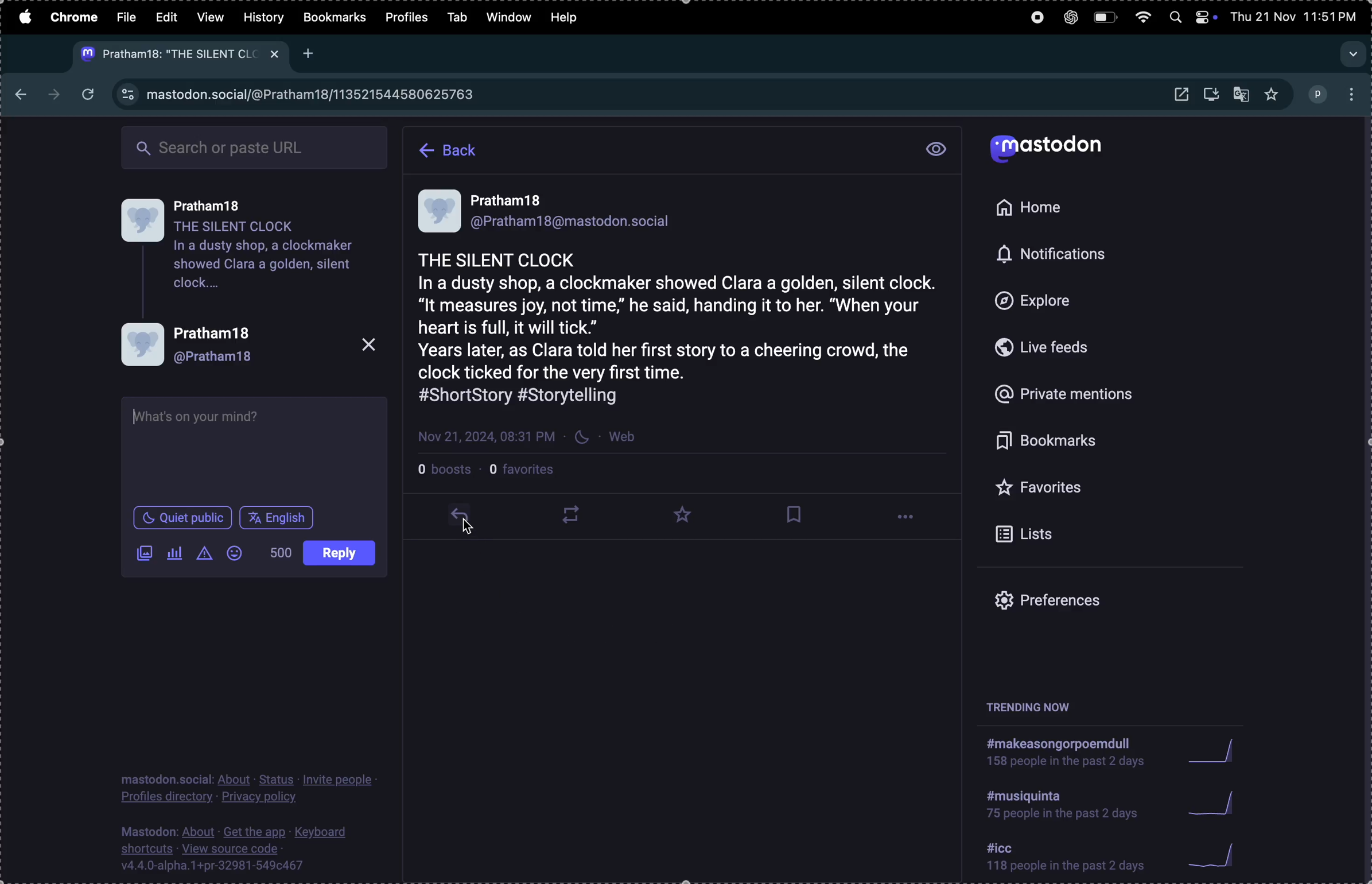  Describe the element at coordinates (205, 552) in the screenshot. I see `content warning` at that location.